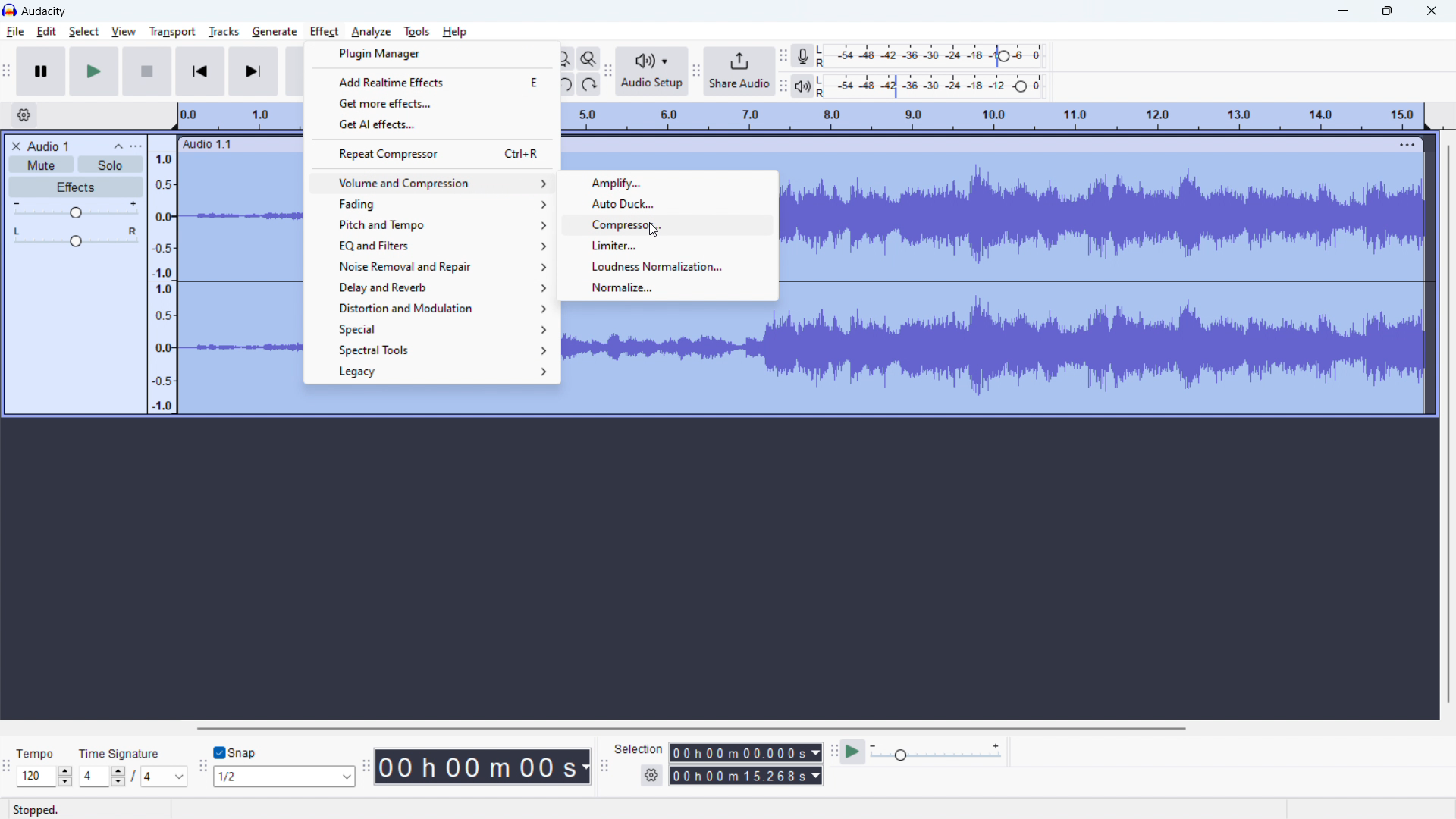 The height and width of the screenshot is (819, 1456). Describe the element at coordinates (15, 146) in the screenshot. I see `delete audio` at that location.